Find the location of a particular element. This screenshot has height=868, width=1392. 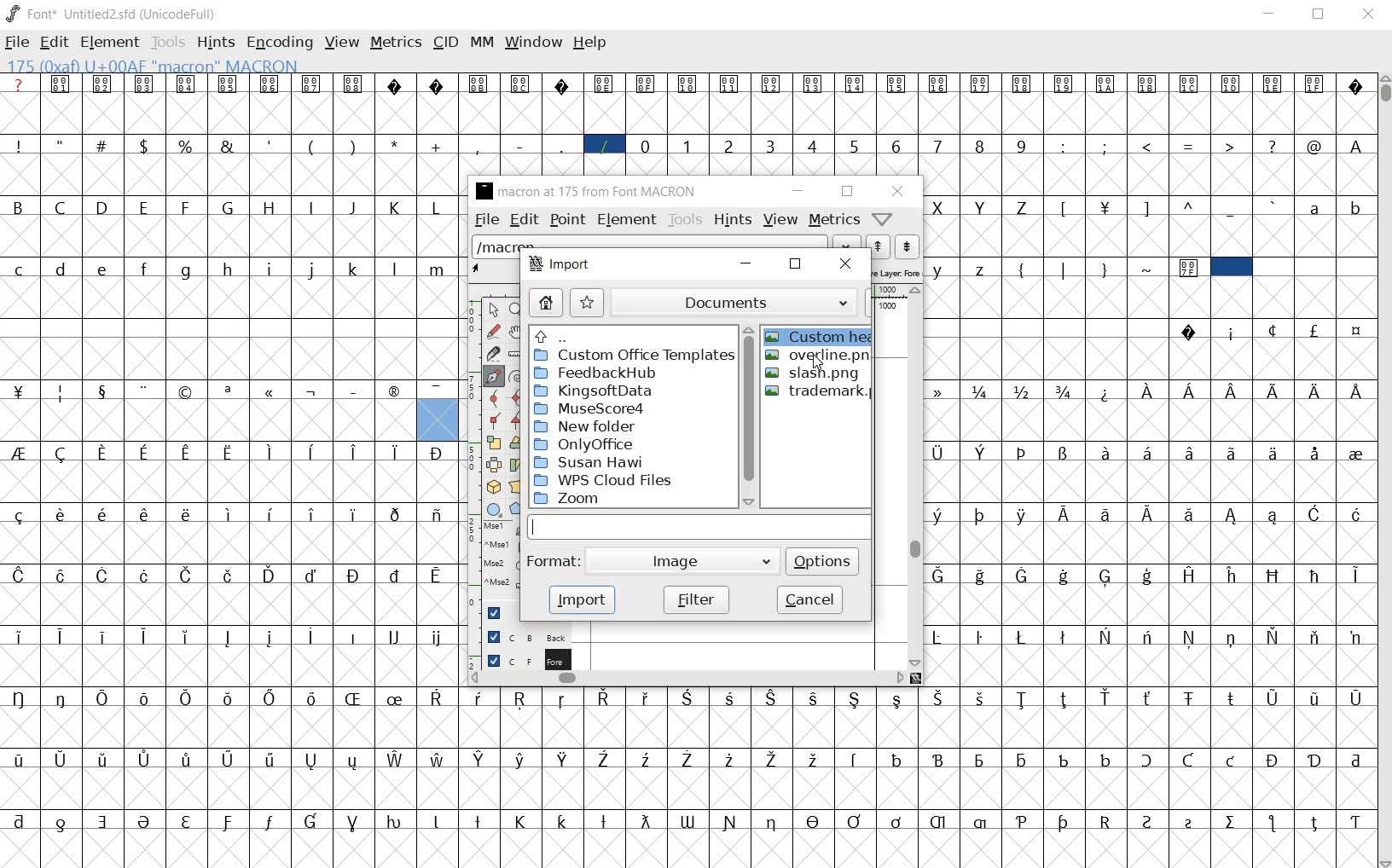

m is located at coordinates (438, 268).